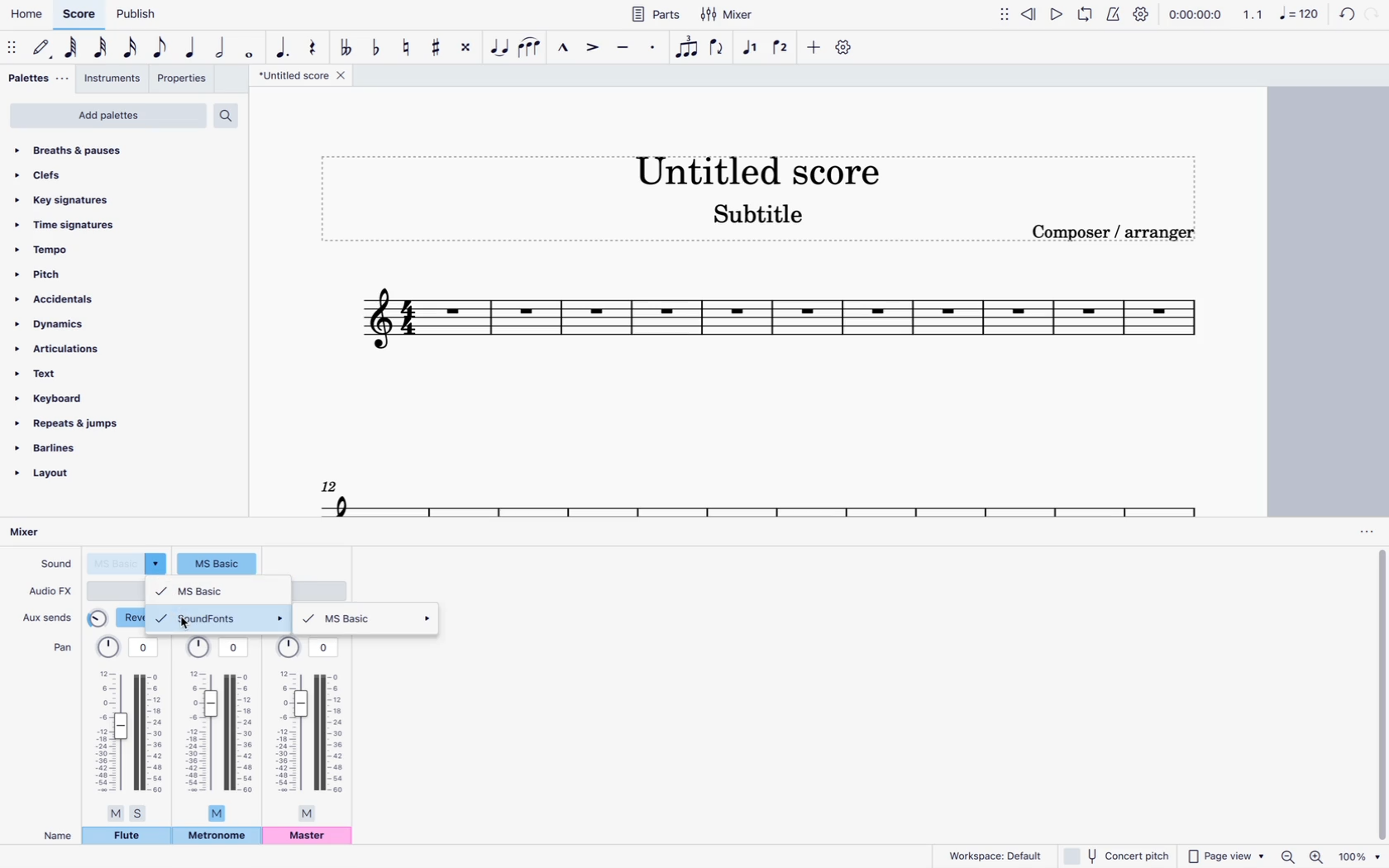 Image resolution: width=1389 pixels, height=868 pixels. Describe the element at coordinates (1085, 13) in the screenshot. I see `loop playback` at that location.